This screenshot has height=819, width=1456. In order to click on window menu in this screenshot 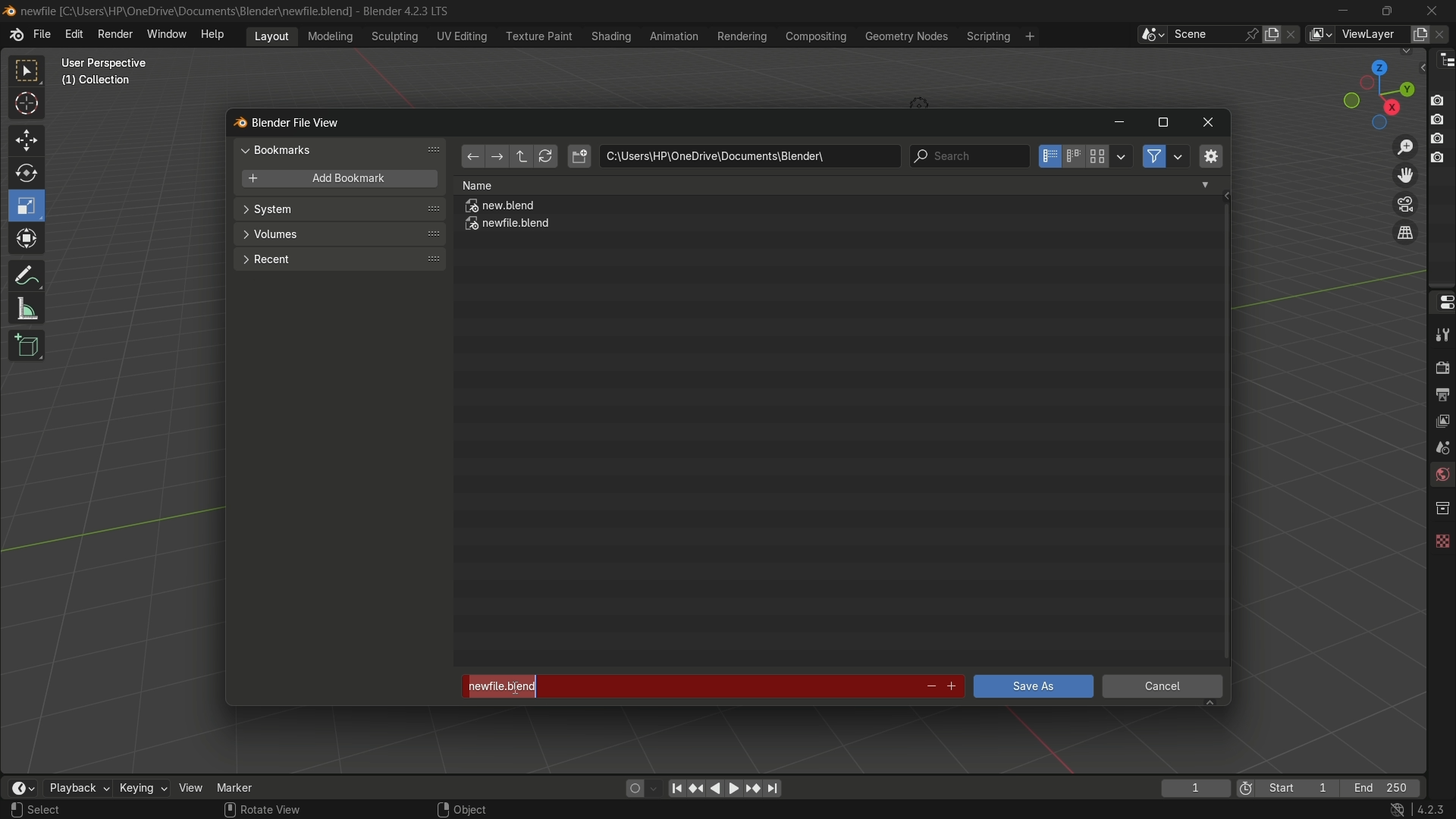, I will do `click(168, 36)`.